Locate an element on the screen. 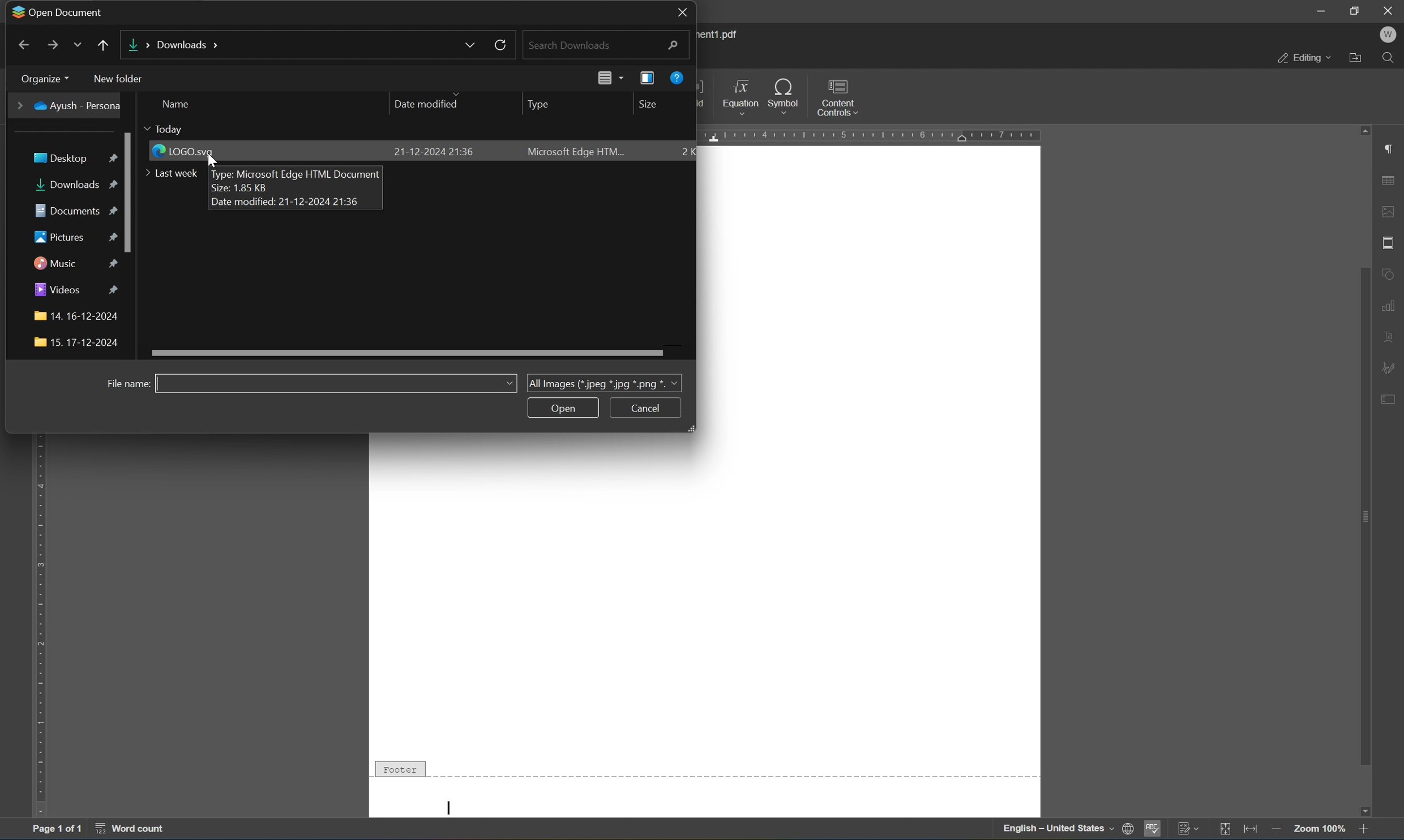  restore down is located at coordinates (1358, 11).